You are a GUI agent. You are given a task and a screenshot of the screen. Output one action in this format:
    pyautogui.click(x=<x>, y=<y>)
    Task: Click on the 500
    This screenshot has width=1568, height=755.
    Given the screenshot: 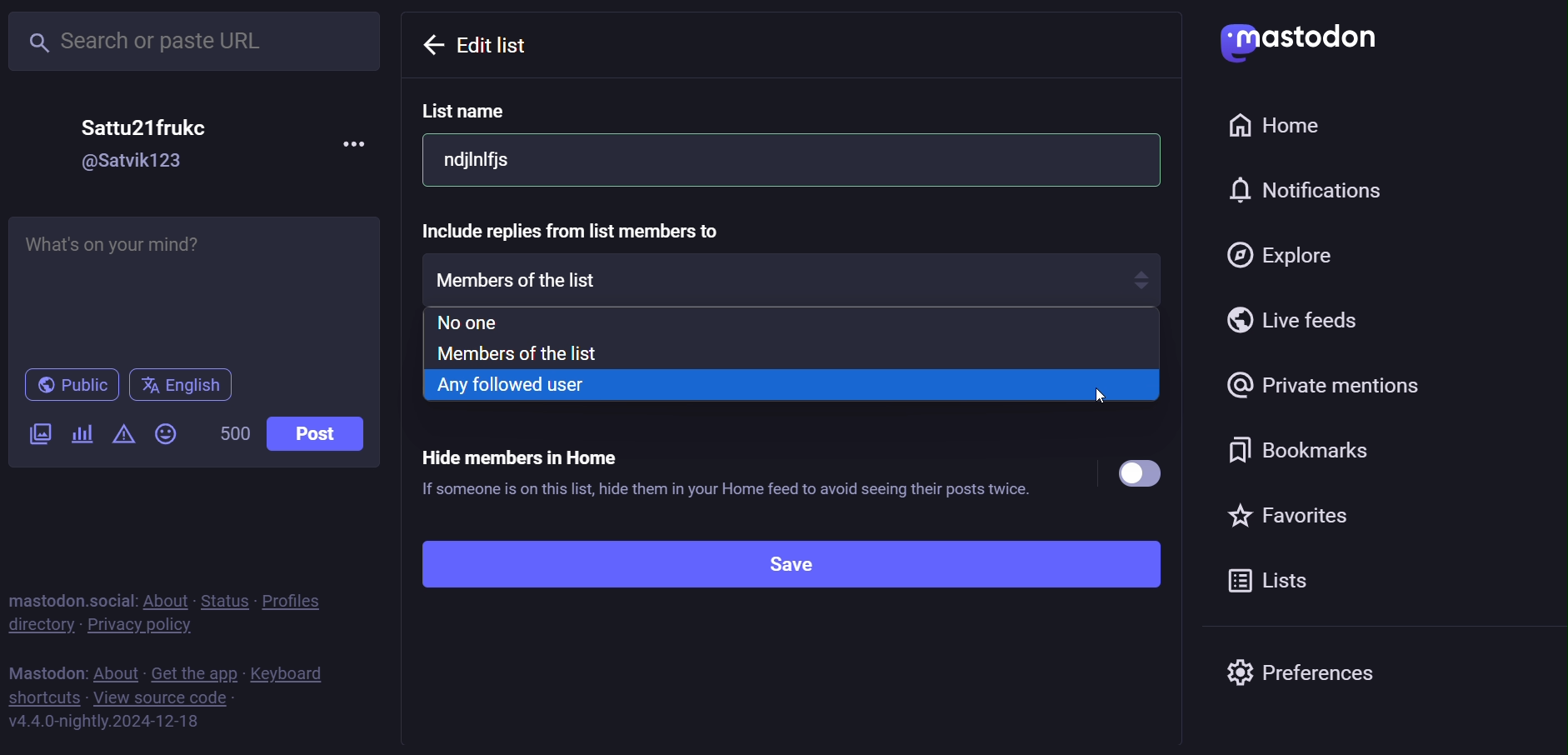 What is the action you would take?
    pyautogui.click(x=235, y=434)
    